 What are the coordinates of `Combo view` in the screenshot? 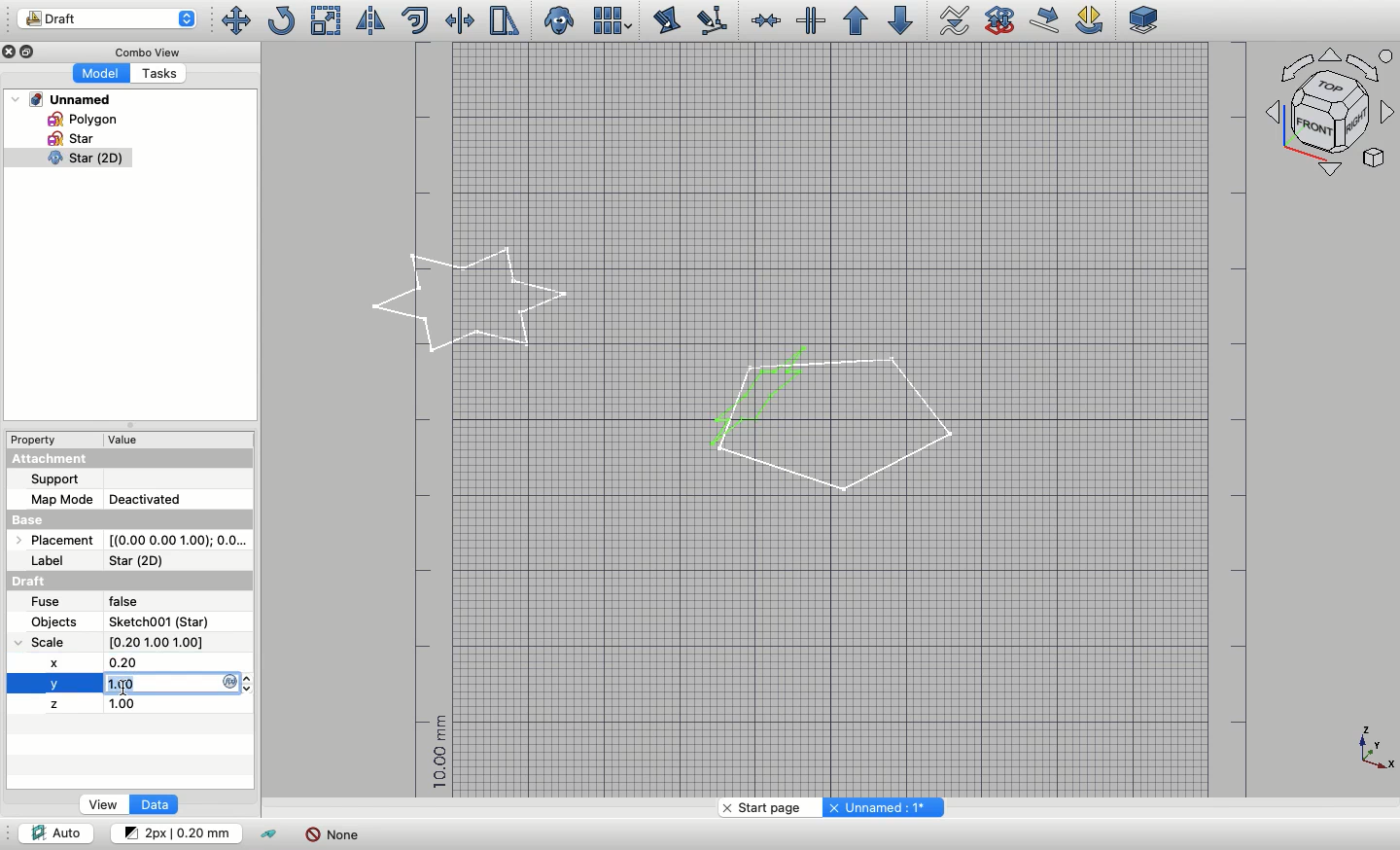 It's located at (144, 51).